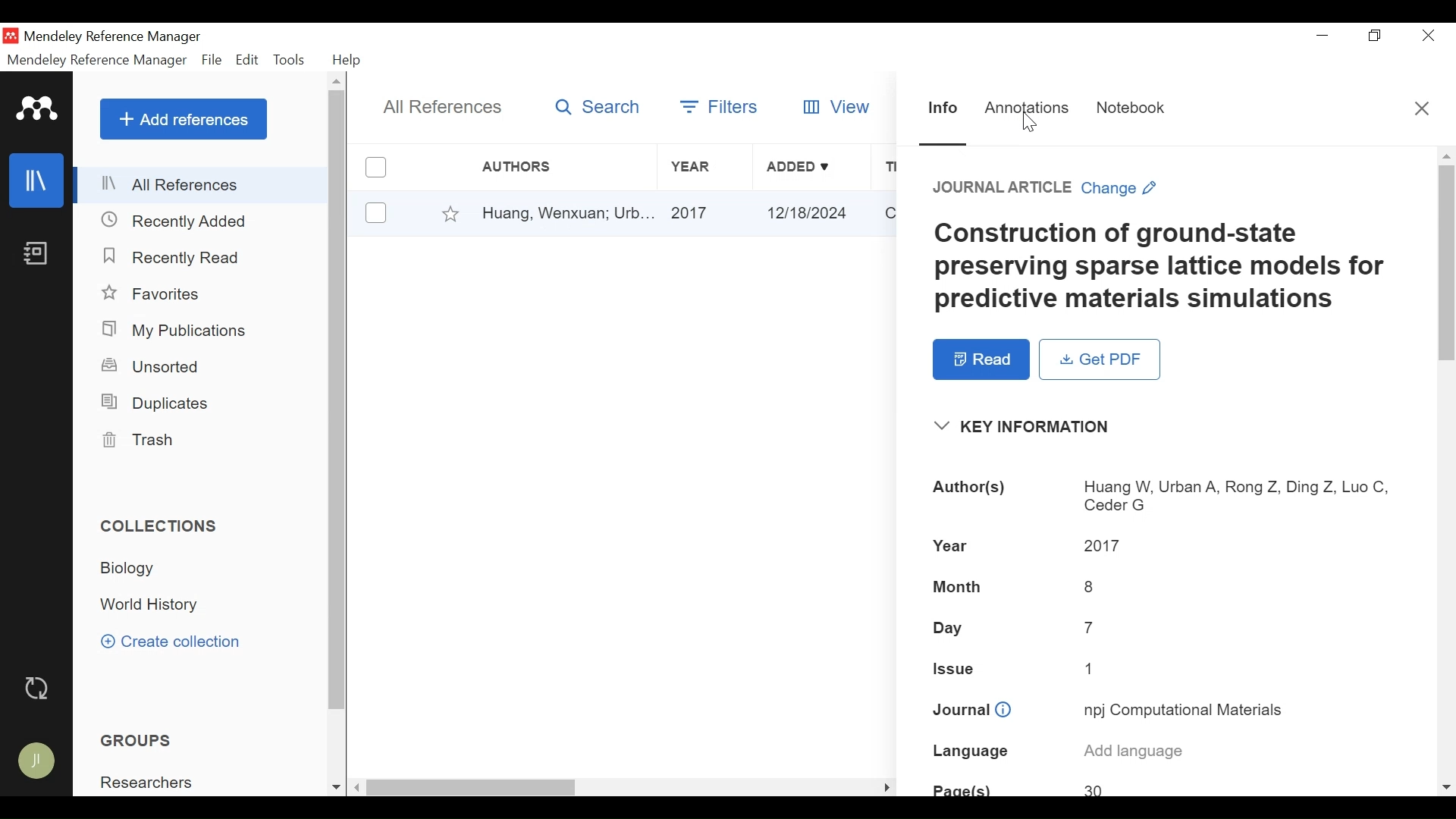 Image resolution: width=1456 pixels, height=819 pixels. What do you see at coordinates (814, 214) in the screenshot?
I see `12/18/2024` at bounding box center [814, 214].